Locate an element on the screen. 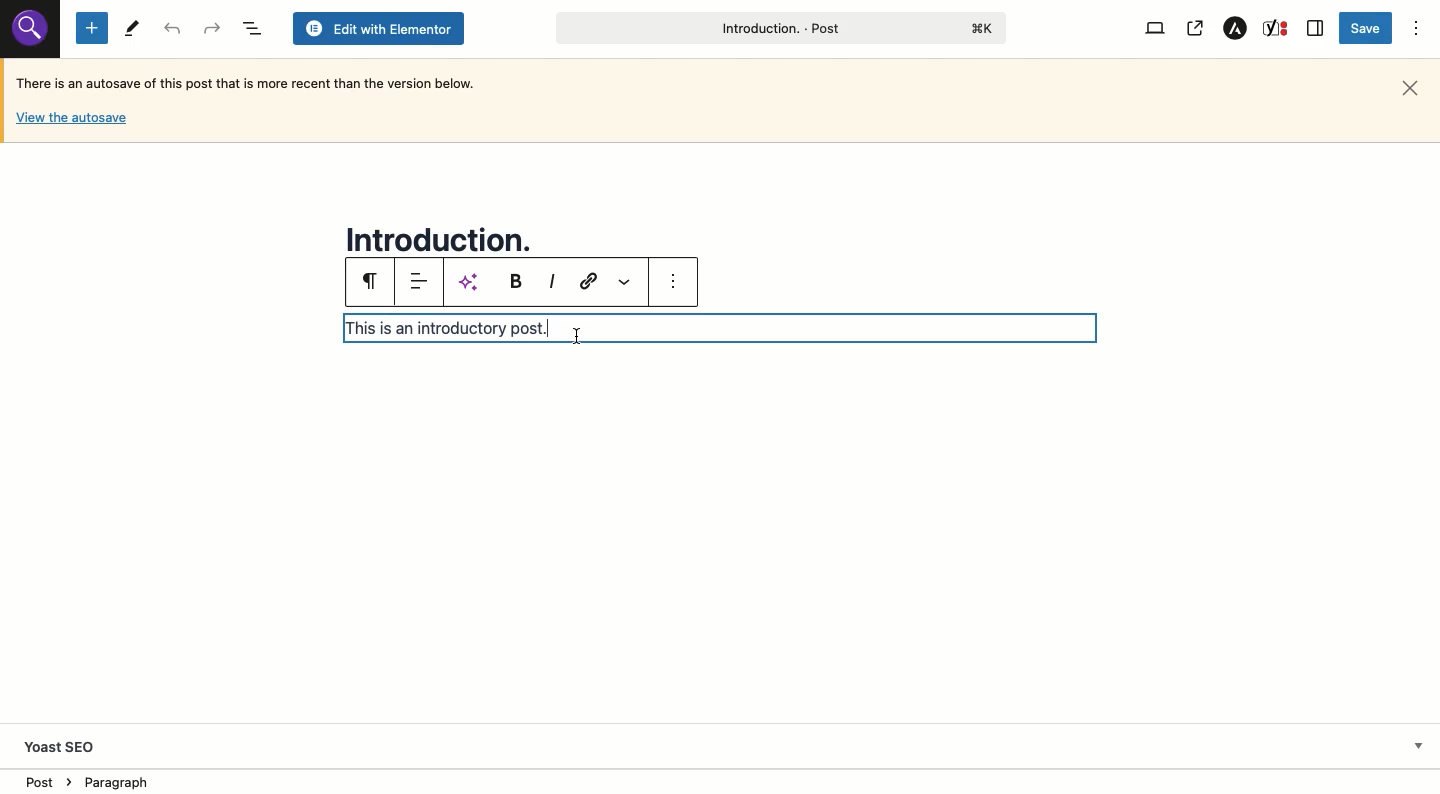 The width and height of the screenshot is (1440, 794). Bold is located at coordinates (514, 279).